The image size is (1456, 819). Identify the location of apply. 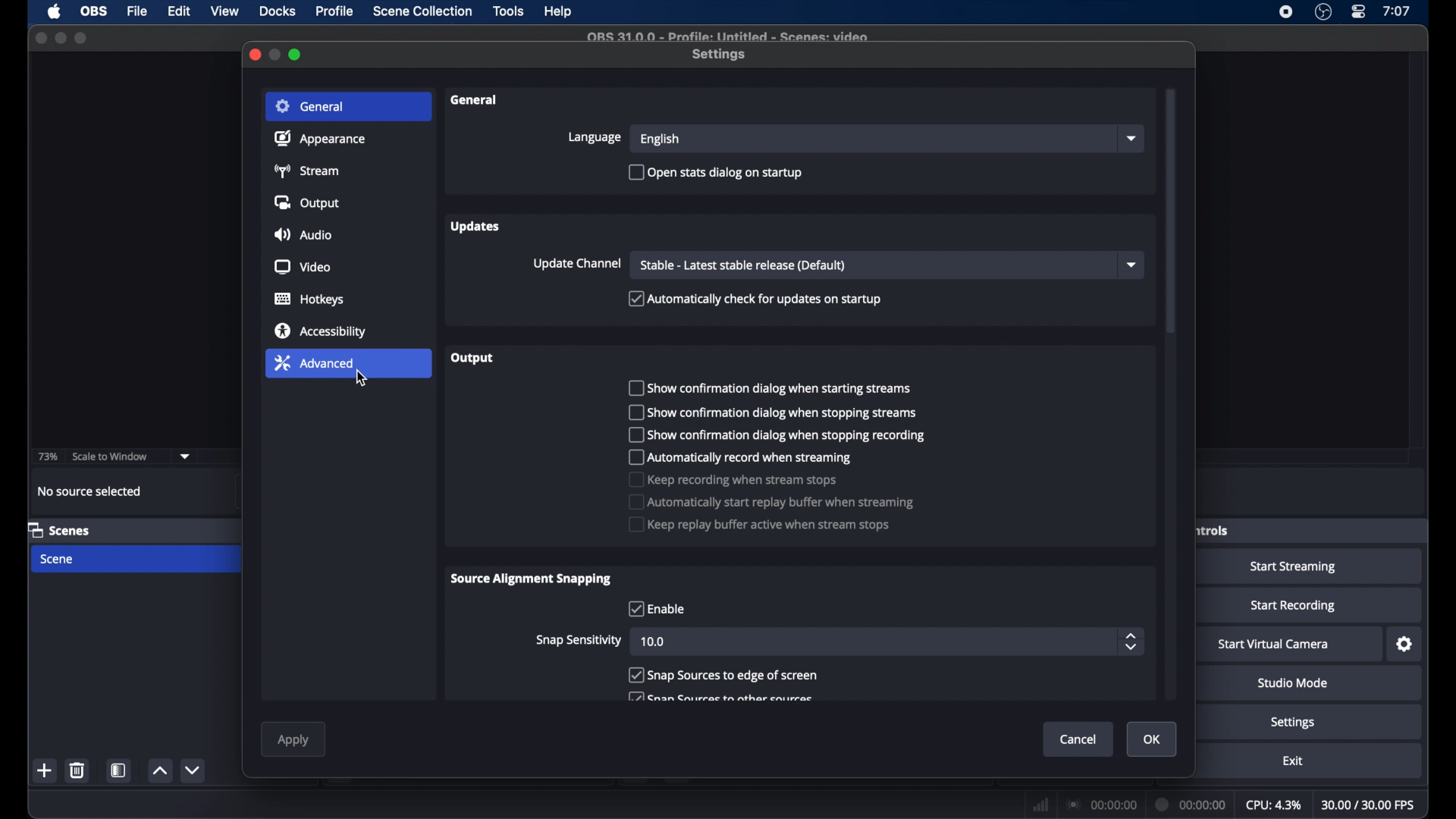
(294, 740).